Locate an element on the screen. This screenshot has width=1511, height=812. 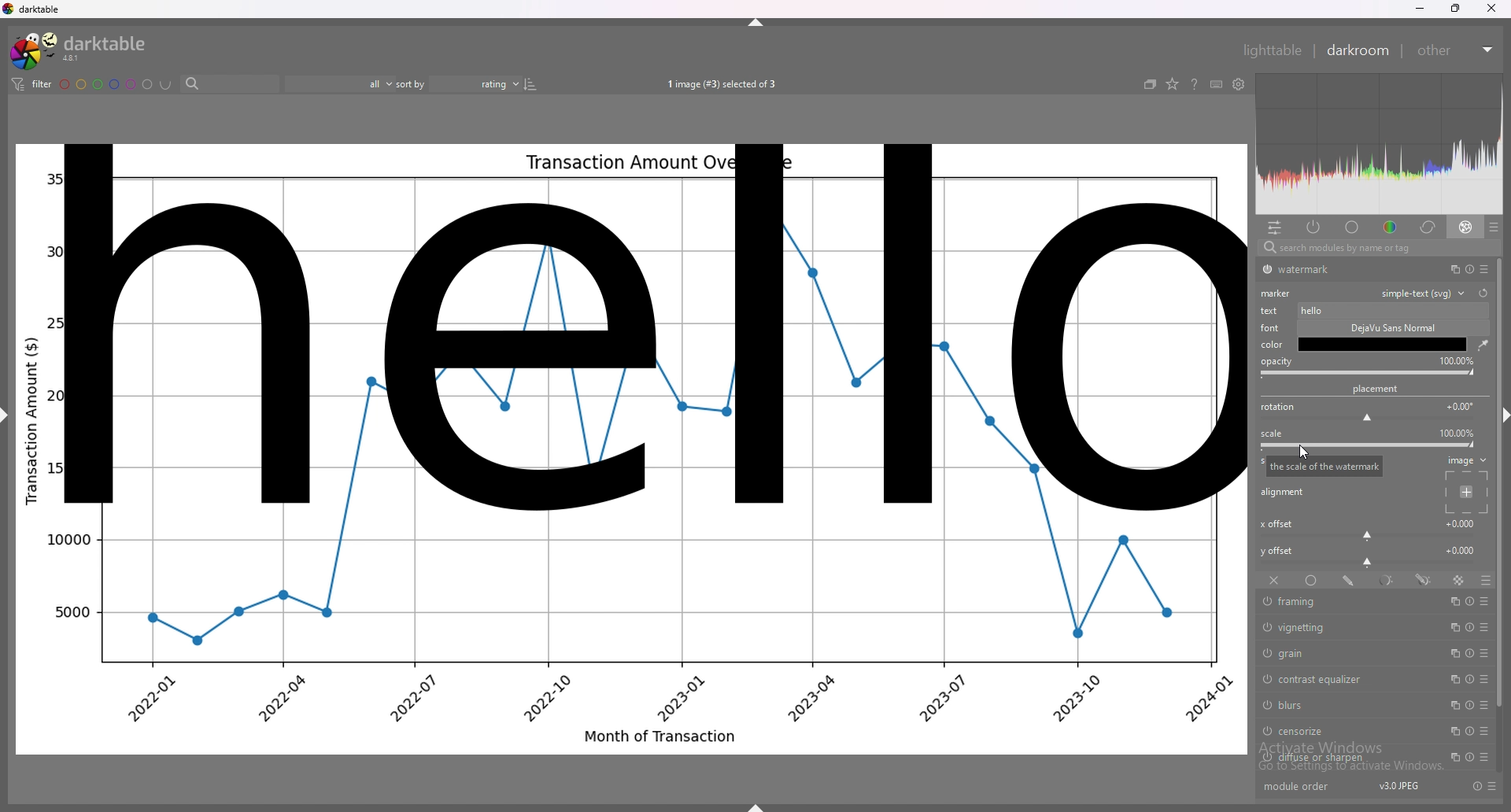
darkroom is located at coordinates (1358, 50).